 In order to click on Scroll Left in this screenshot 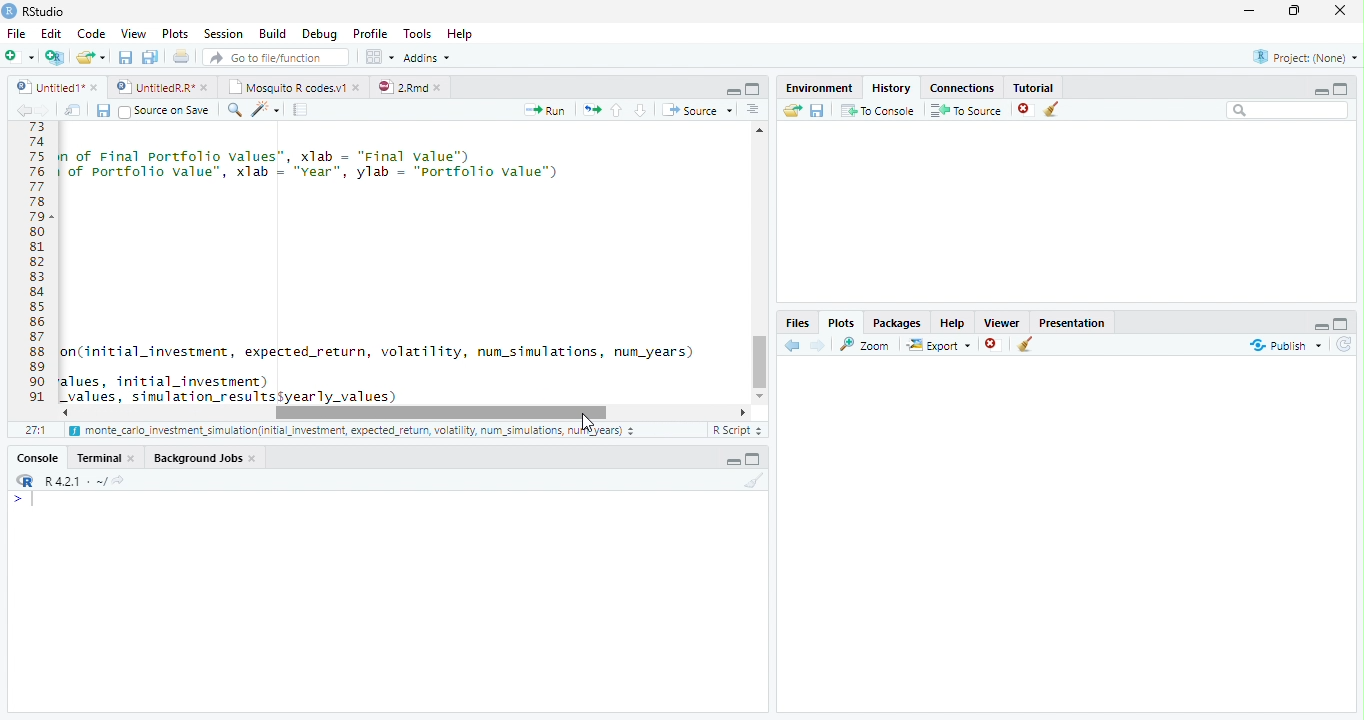, I will do `click(64, 412)`.